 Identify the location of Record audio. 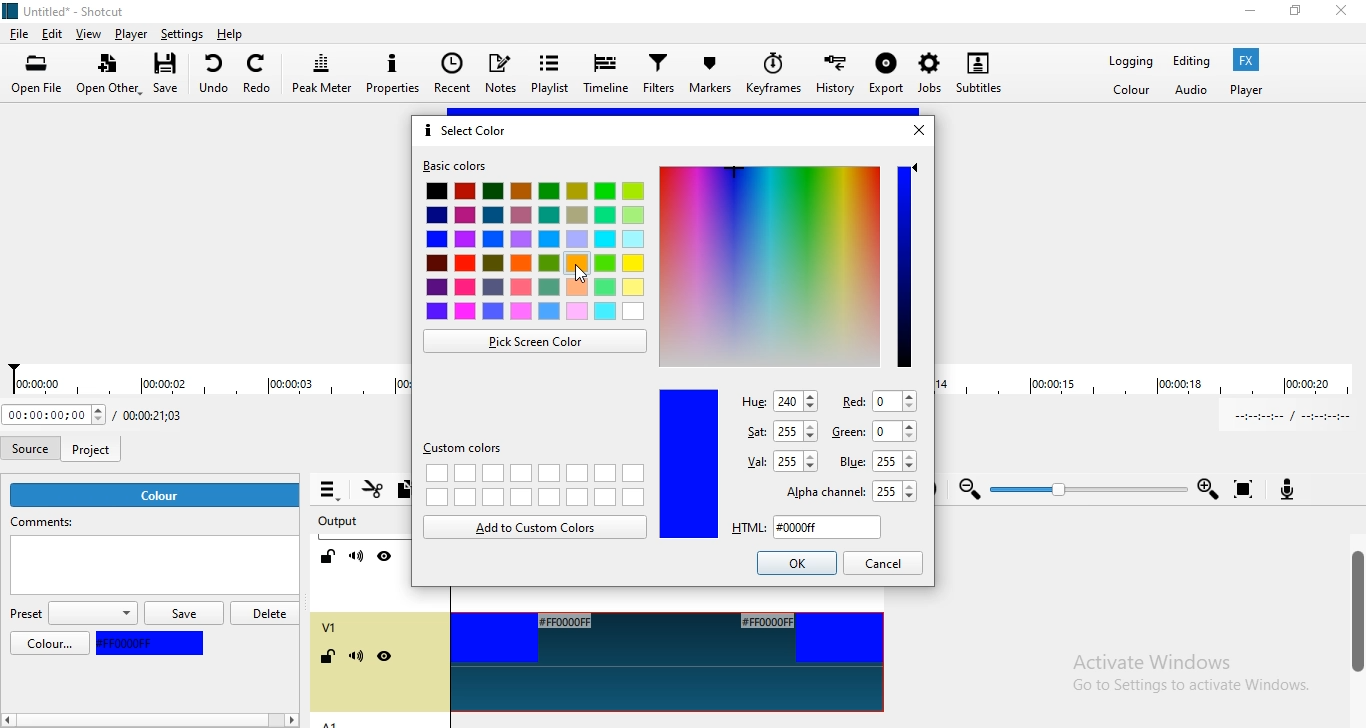
(1297, 491).